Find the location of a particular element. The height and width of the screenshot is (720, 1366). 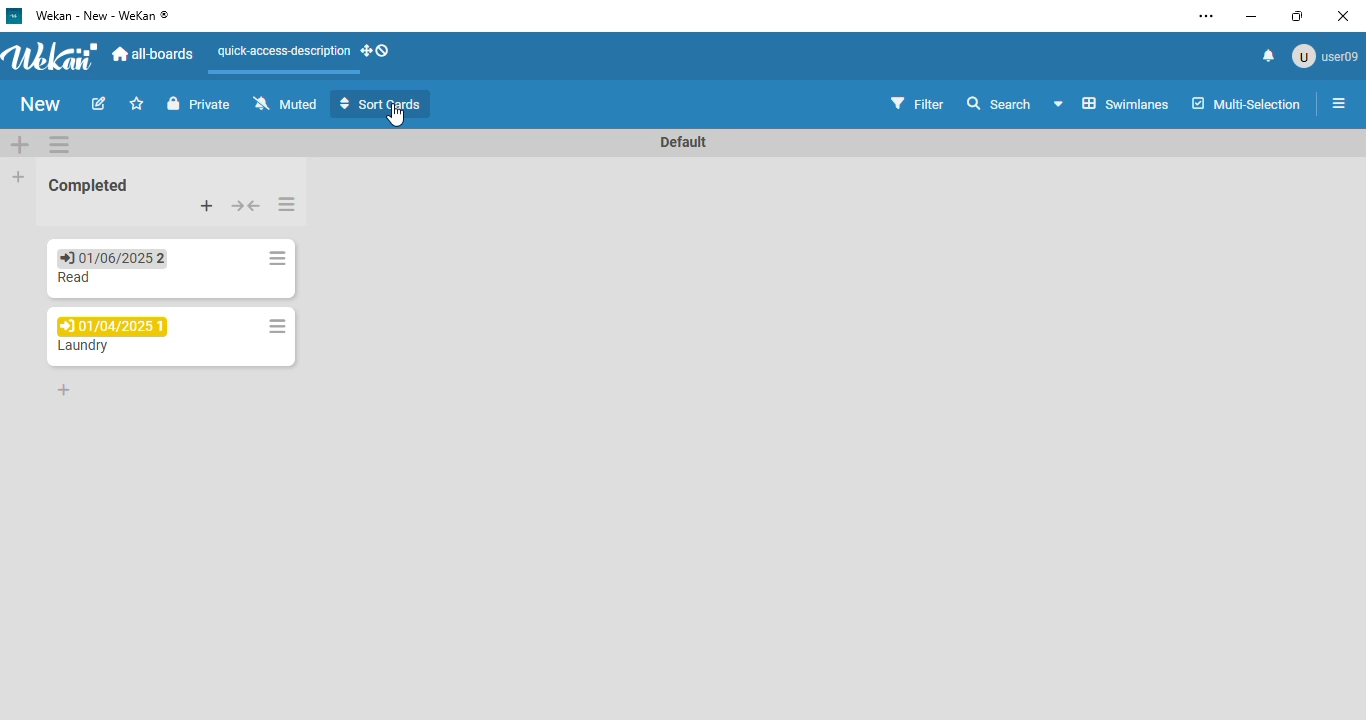

show-desktop-drag-handles is located at coordinates (377, 51).